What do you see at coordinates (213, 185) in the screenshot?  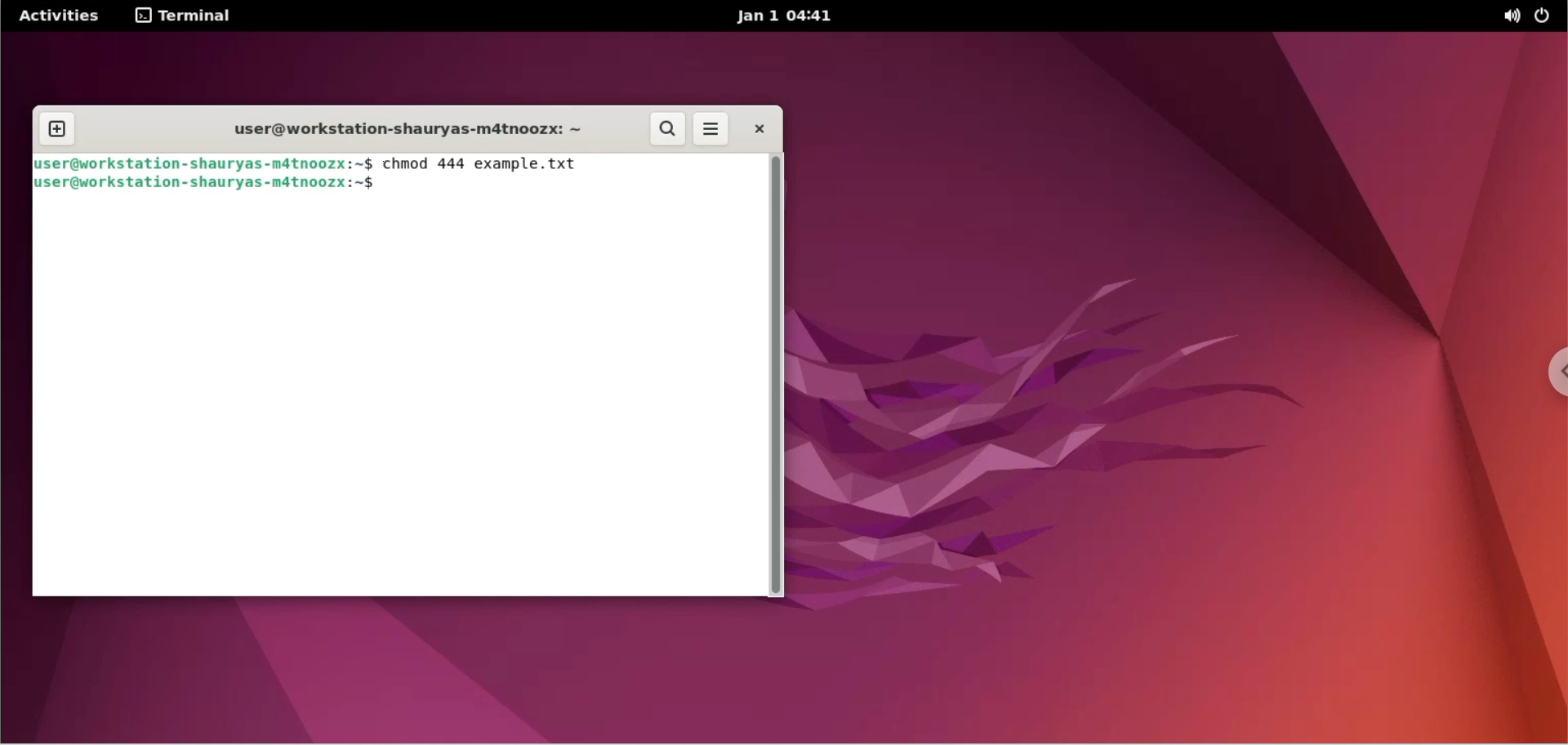 I see `user@workstation-shauryas-m4tnoozx:~$` at bounding box center [213, 185].